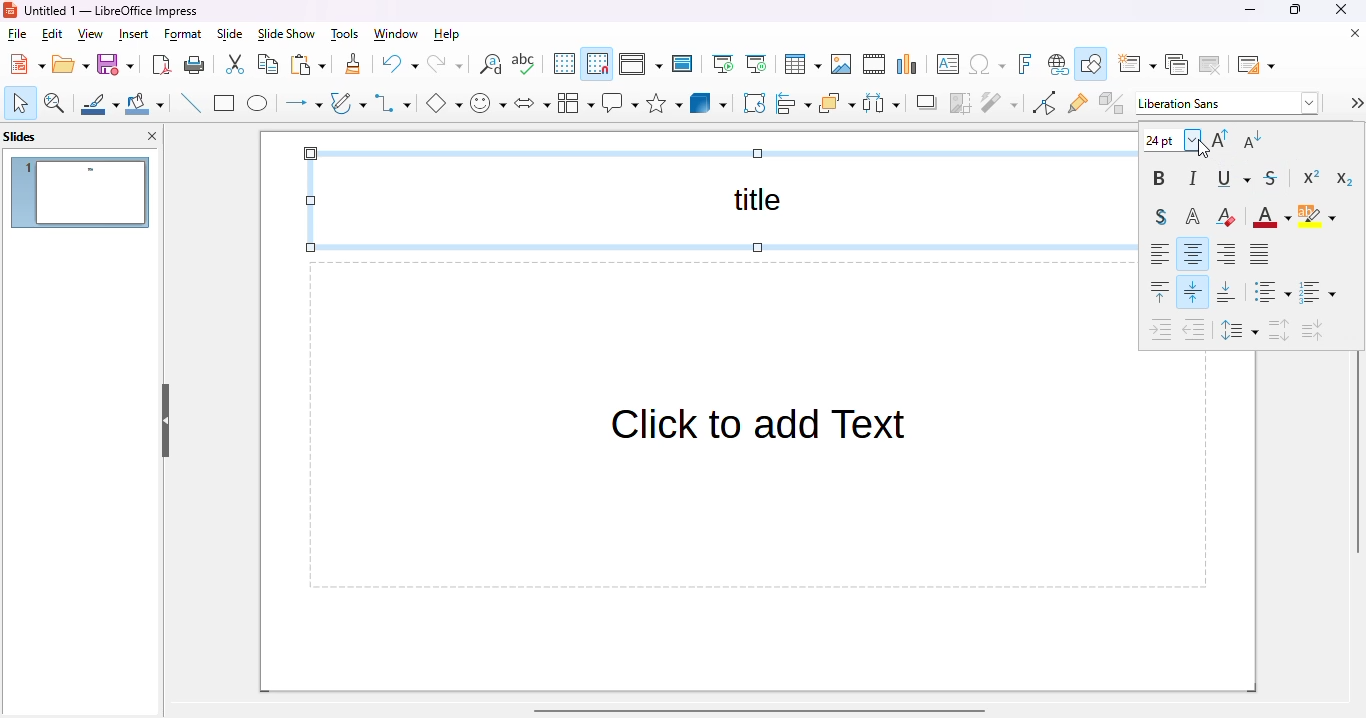  I want to click on format, so click(183, 35).